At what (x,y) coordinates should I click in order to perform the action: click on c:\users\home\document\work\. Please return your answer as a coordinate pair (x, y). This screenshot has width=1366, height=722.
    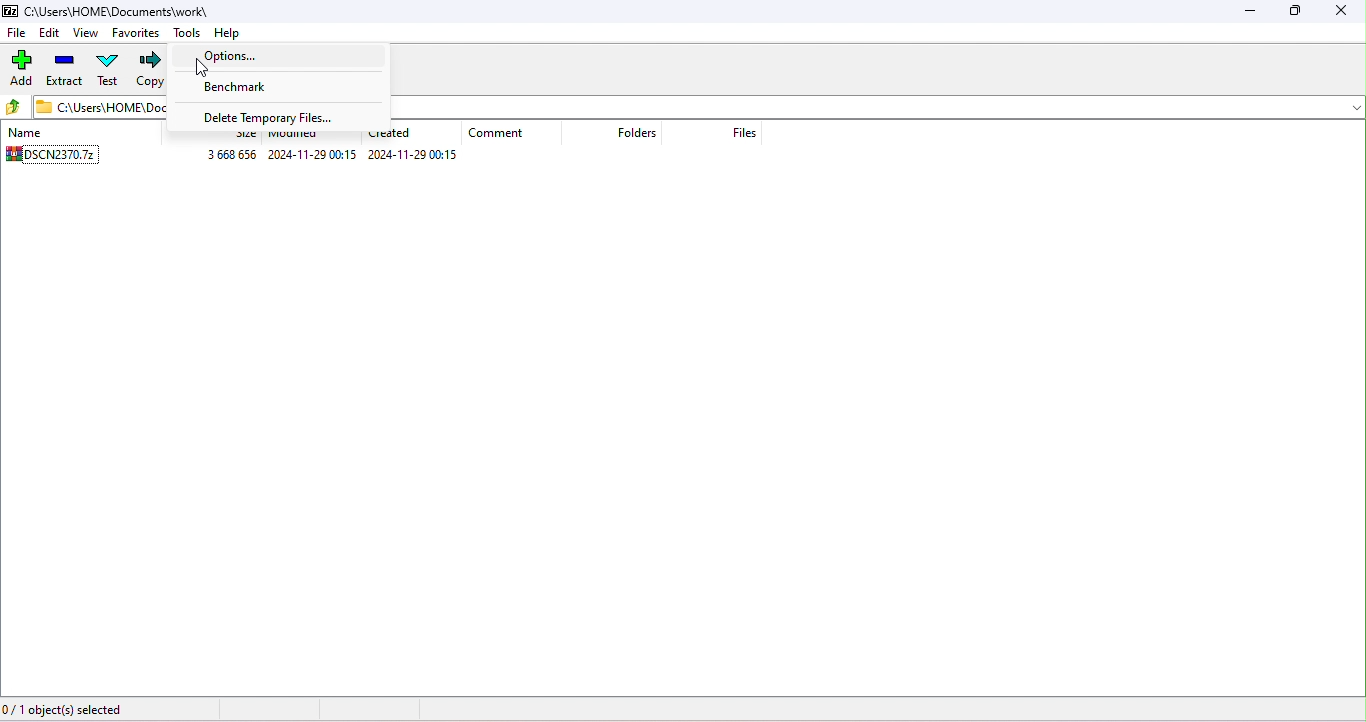
    Looking at the image, I should click on (126, 12).